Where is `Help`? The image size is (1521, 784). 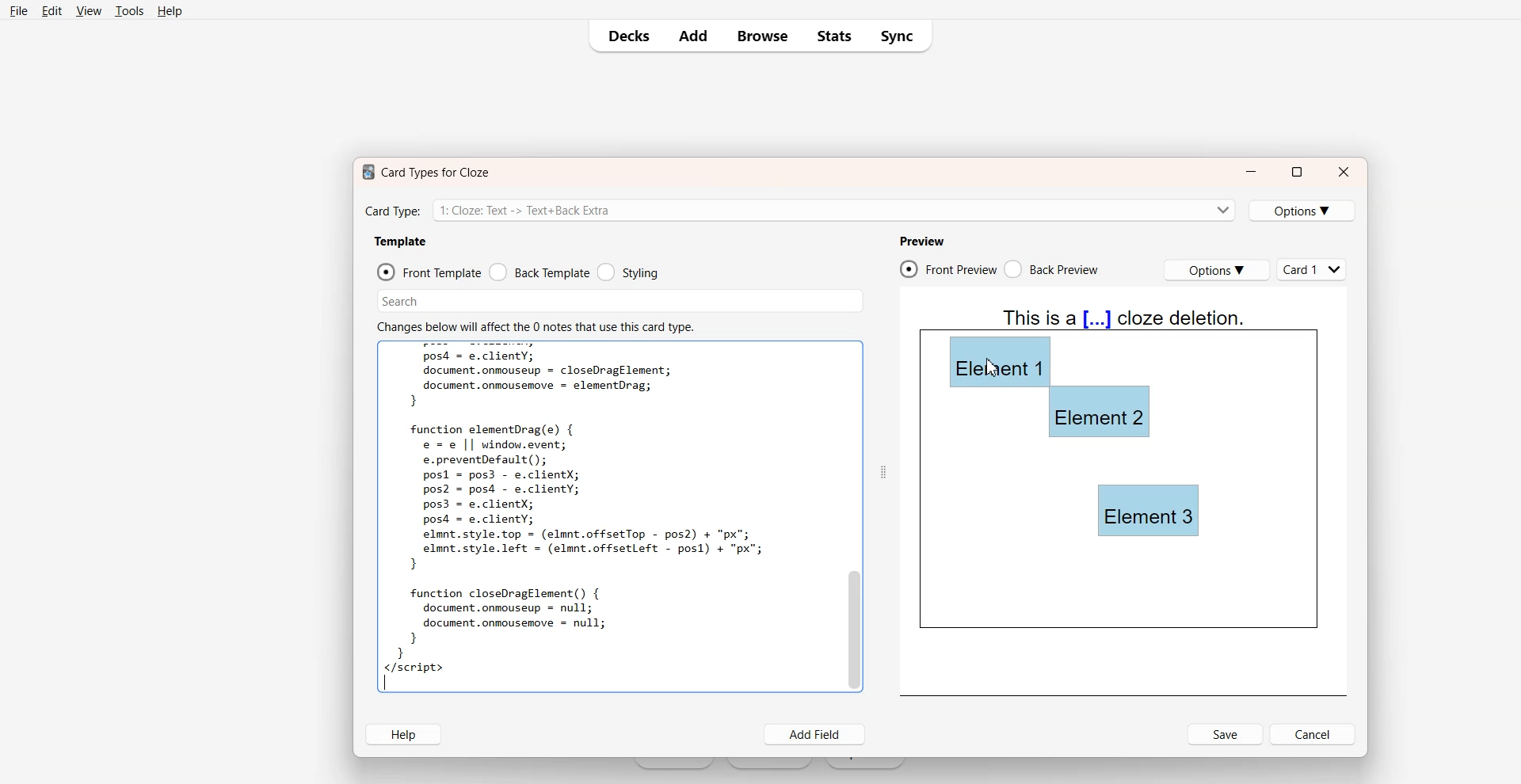
Help is located at coordinates (169, 10).